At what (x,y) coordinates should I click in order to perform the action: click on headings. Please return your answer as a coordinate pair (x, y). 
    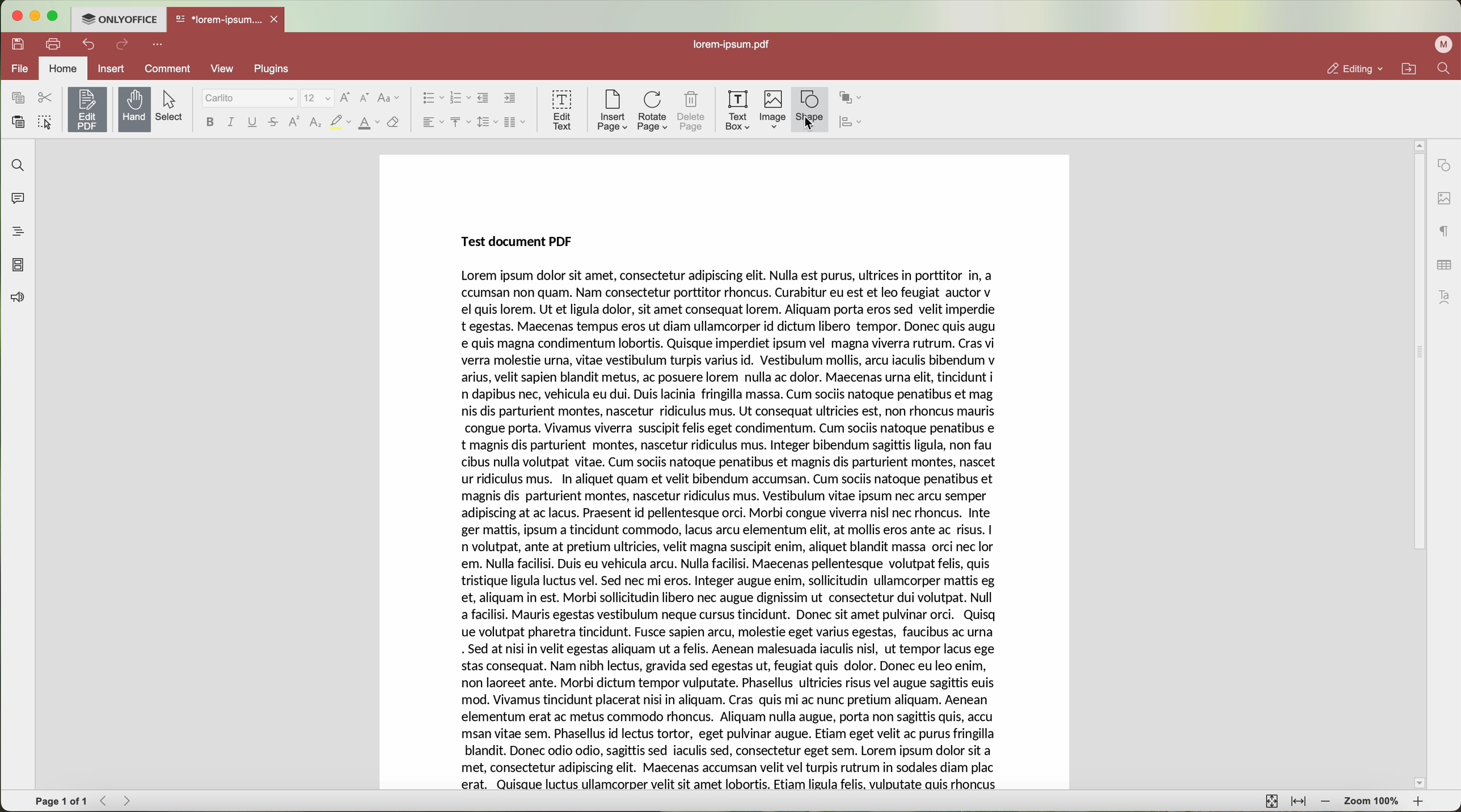
    Looking at the image, I should click on (17, 232).